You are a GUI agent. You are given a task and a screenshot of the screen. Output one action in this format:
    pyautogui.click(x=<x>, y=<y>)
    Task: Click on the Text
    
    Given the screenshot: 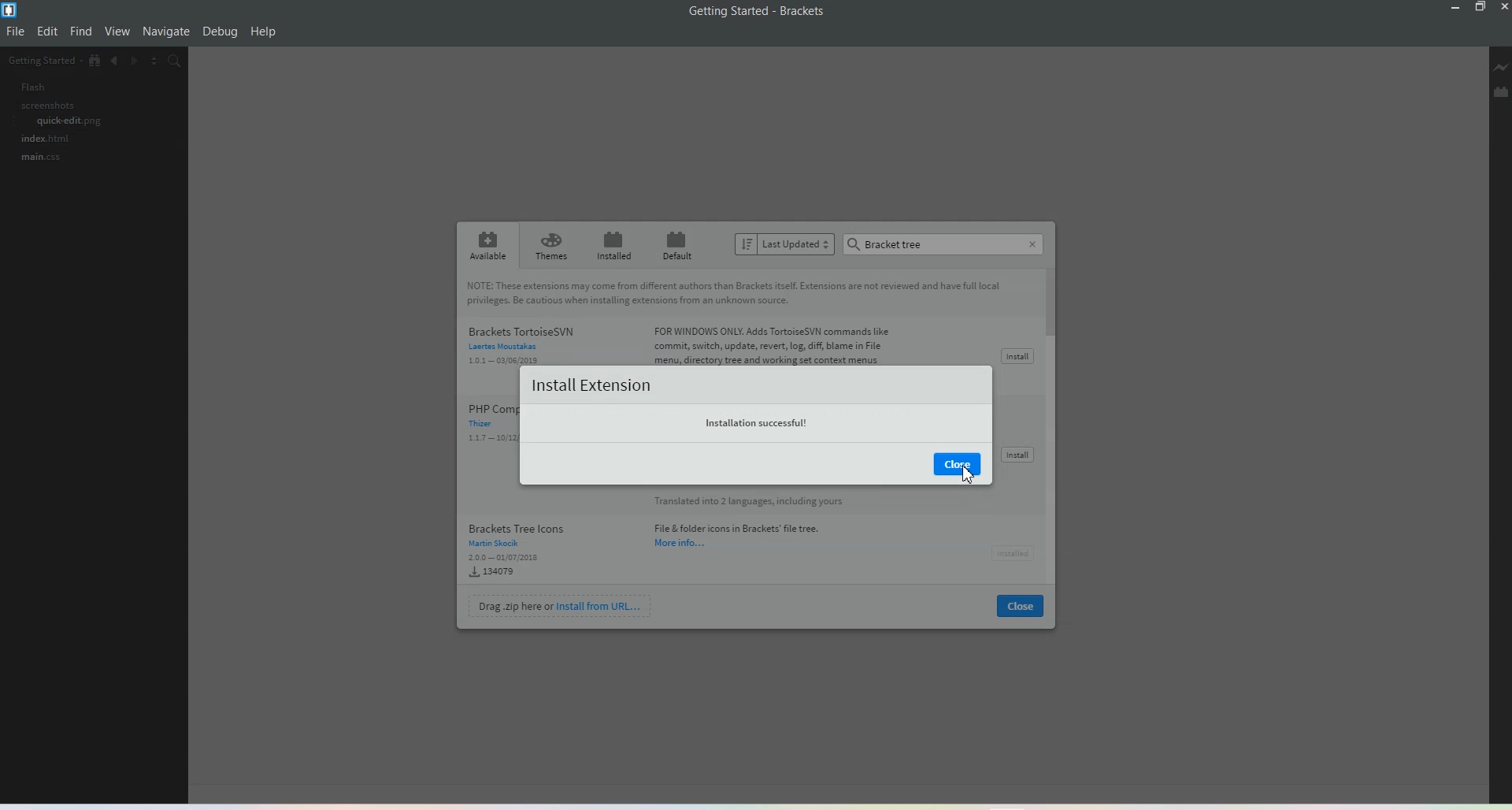 What is the action you would take?
    pyautogui.click(x=758, y=11)
    